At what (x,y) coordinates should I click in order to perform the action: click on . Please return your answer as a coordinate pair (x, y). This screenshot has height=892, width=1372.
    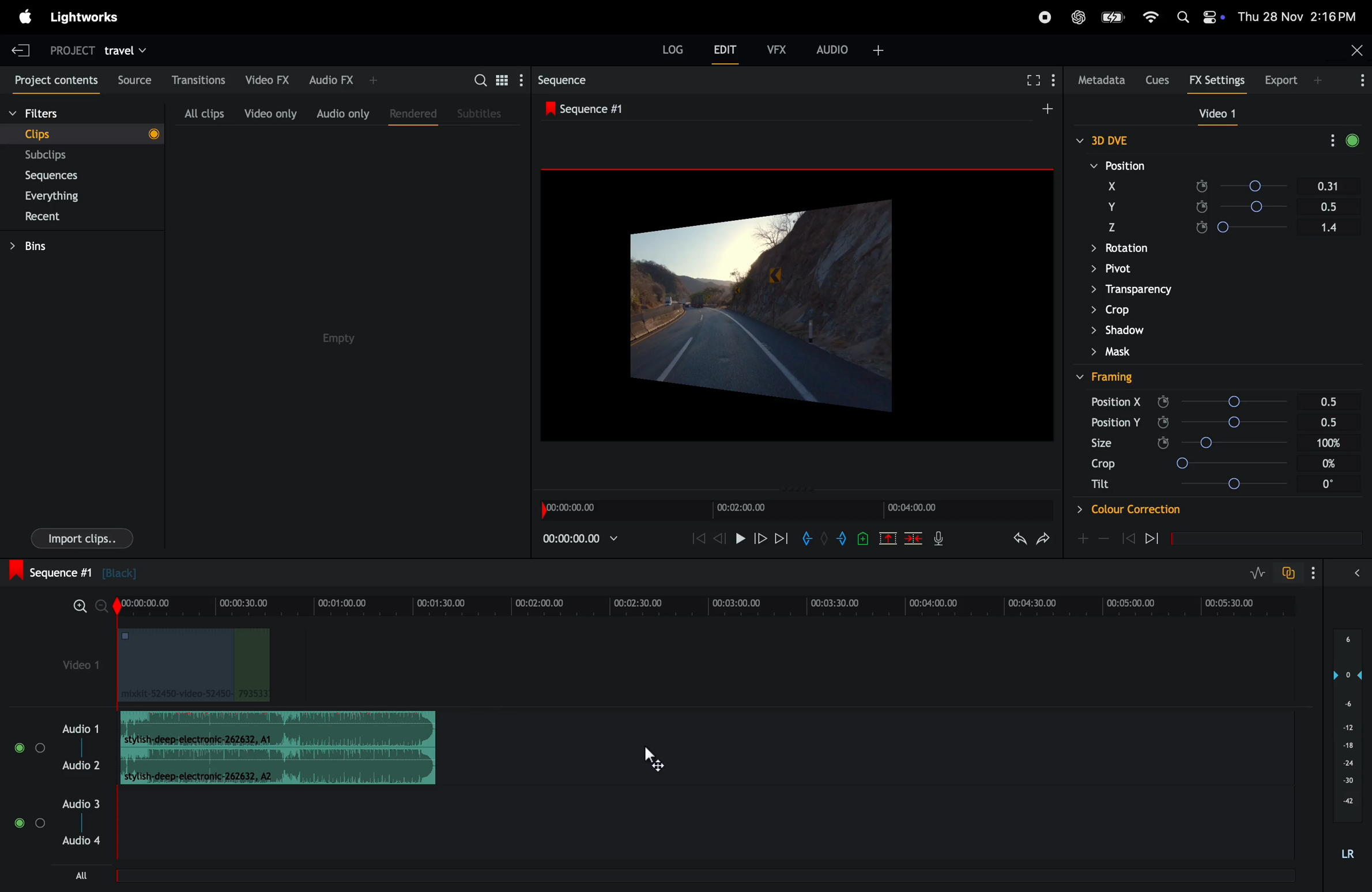
    Looking at the image, I should click on (1332, 422).